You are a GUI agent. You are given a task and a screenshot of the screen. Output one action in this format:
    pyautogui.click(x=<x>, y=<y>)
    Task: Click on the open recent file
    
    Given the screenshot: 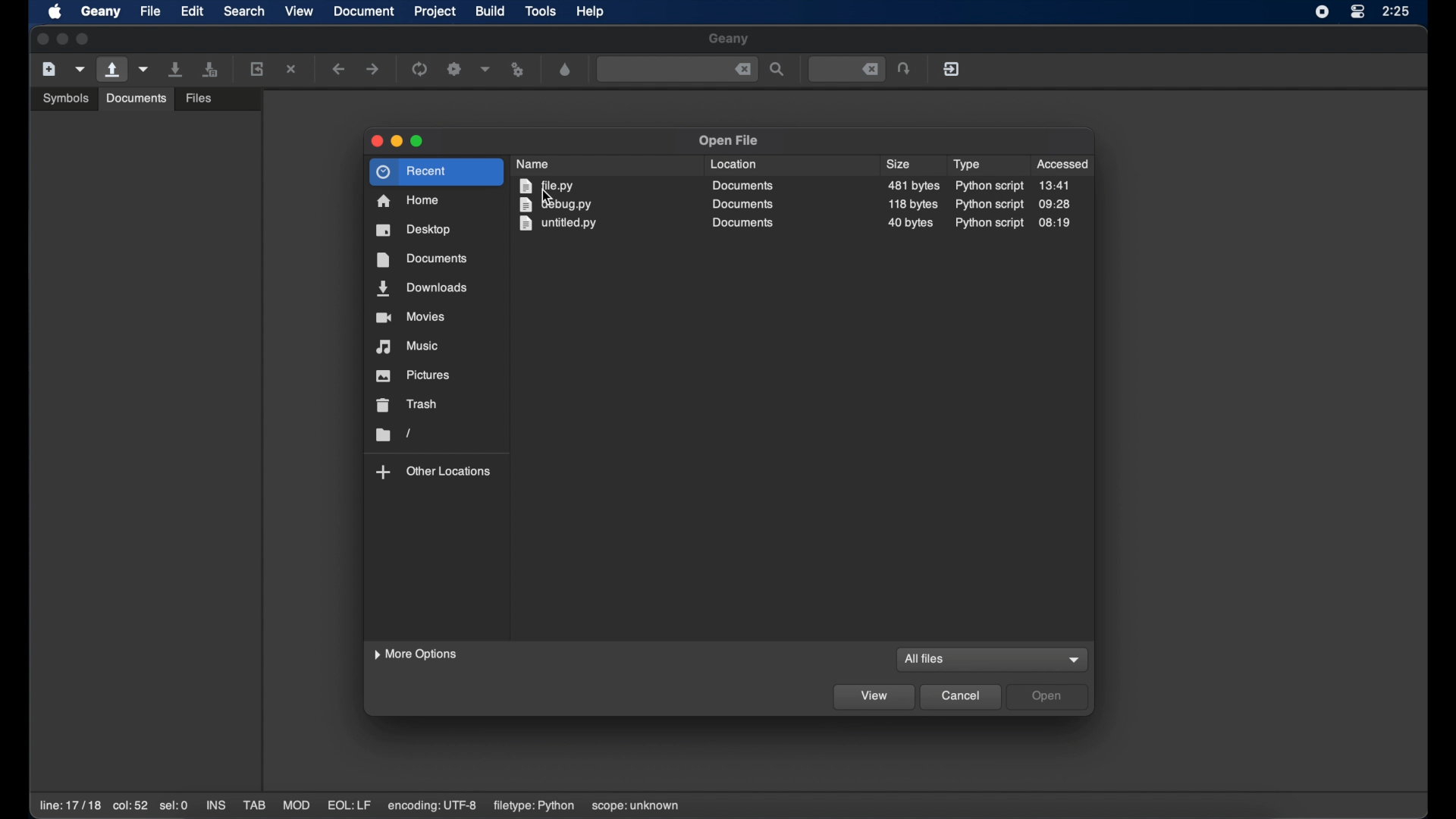 What is the action you would take?
    pyautogui.click(x=145, y=70)
    